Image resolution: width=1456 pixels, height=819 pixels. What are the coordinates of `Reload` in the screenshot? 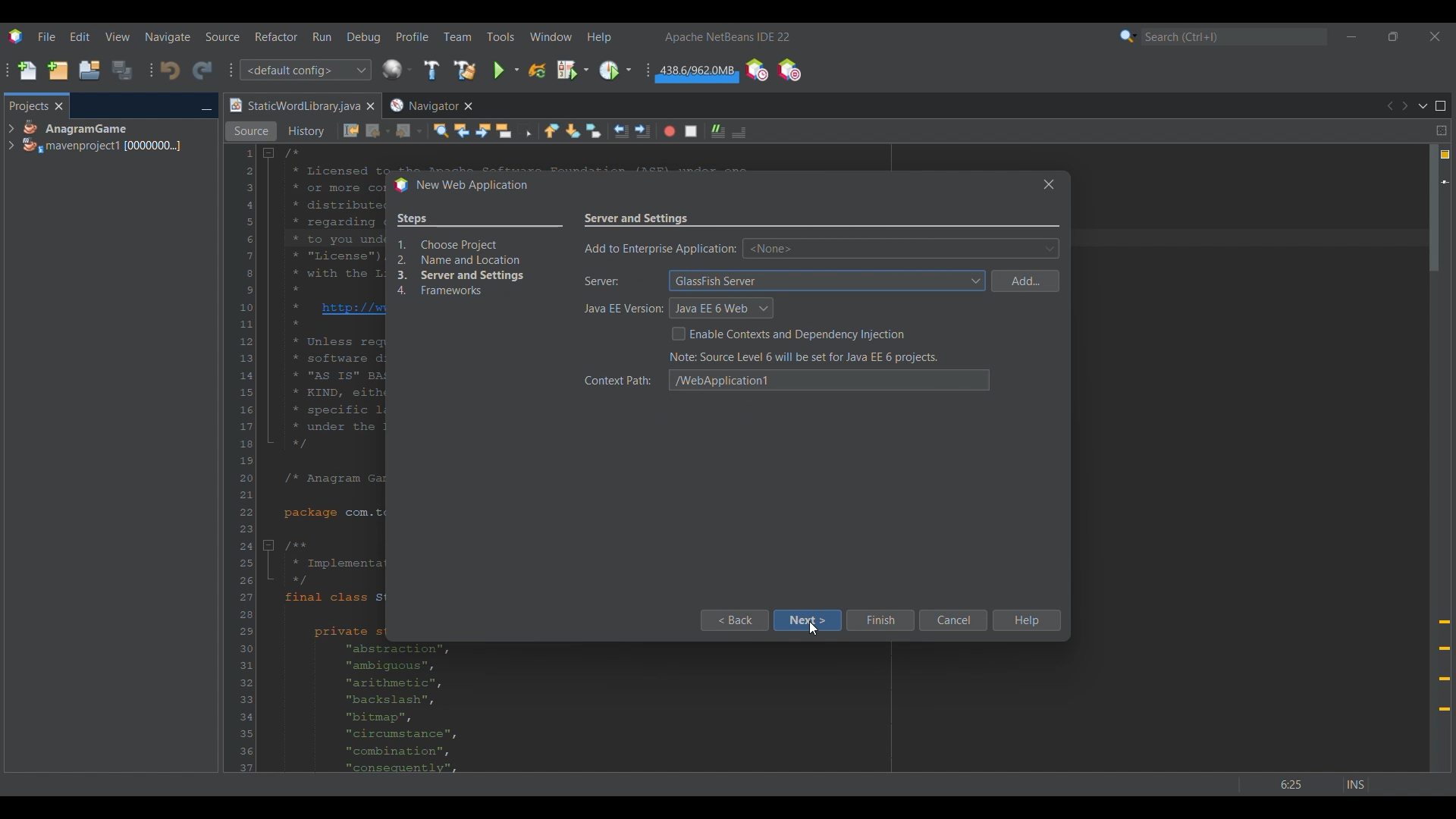 It's located at (537, 71).